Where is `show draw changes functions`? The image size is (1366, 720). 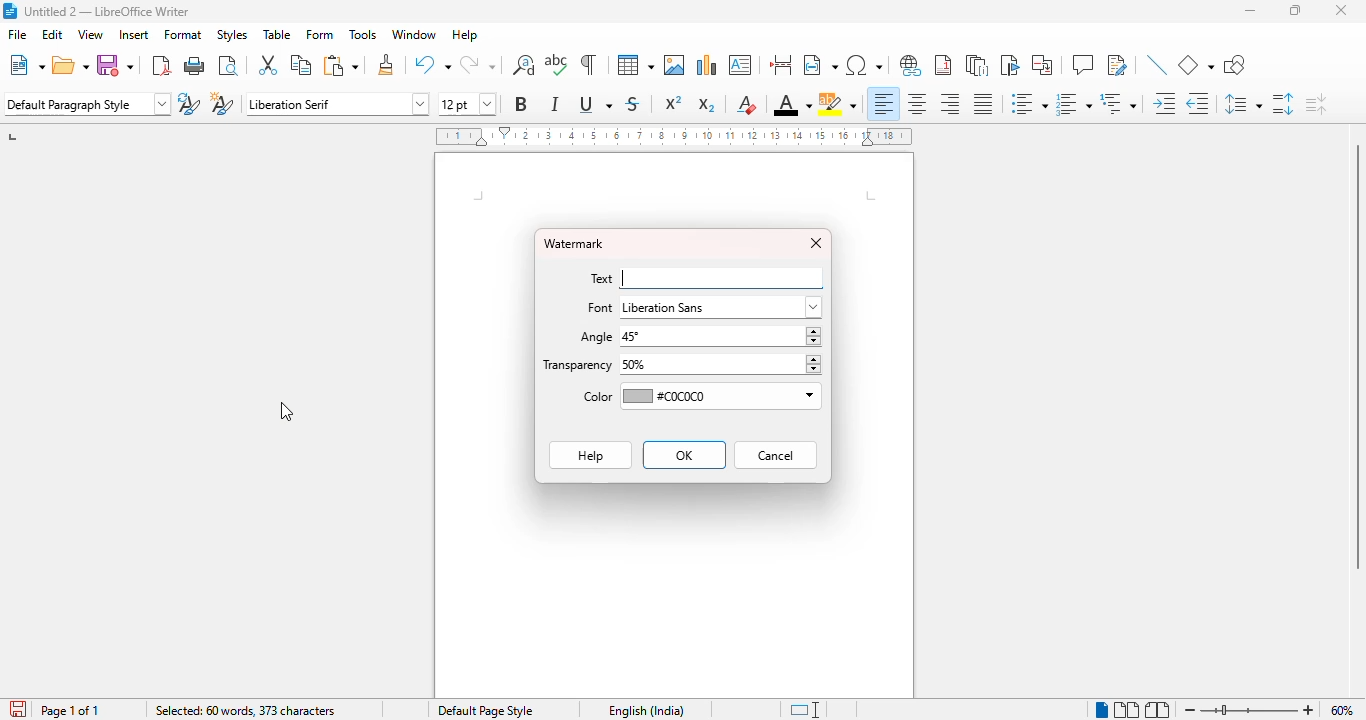
show draw changes functions is located at coordinates (1116, 64).